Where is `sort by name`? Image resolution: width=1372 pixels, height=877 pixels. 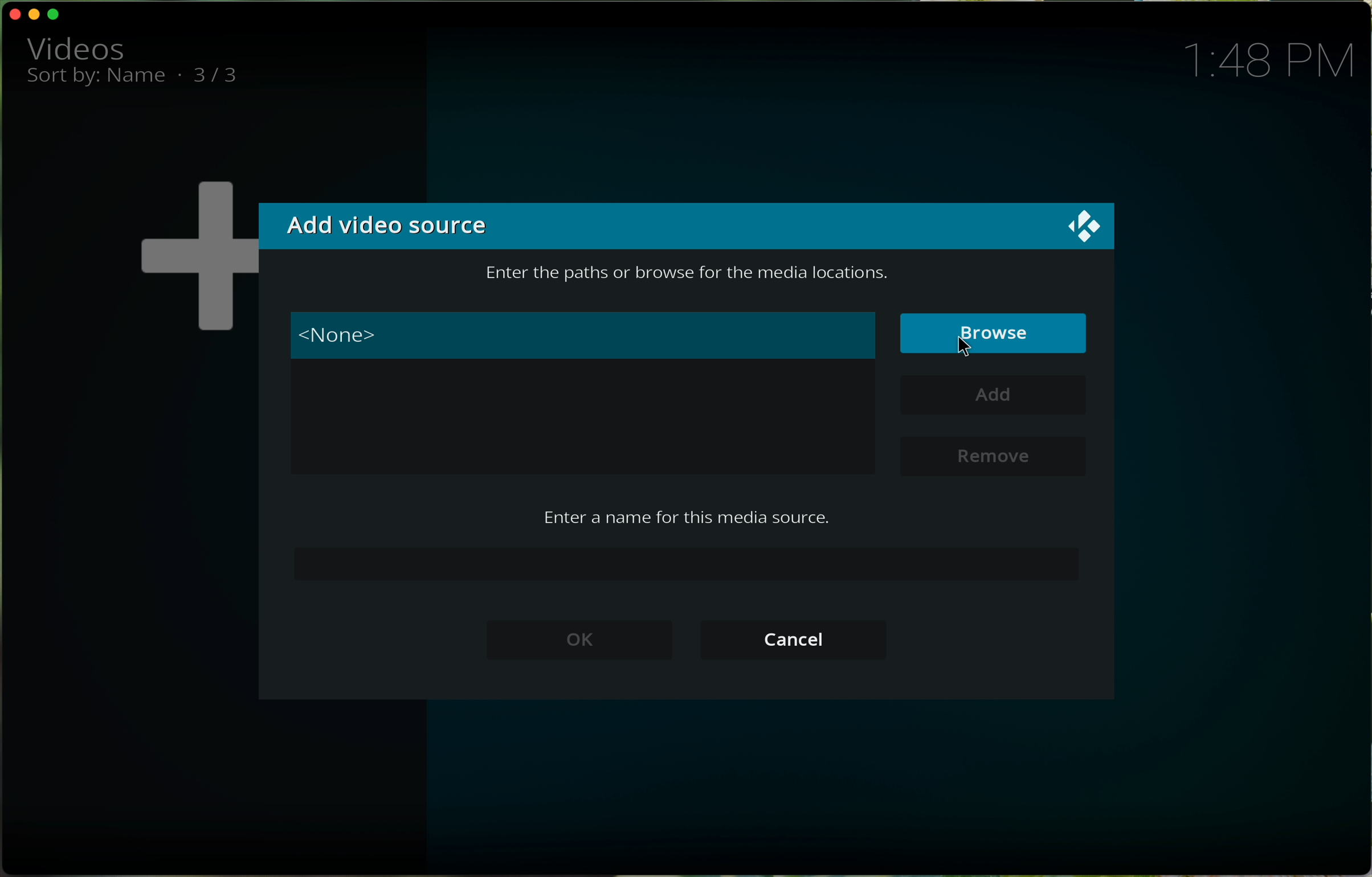
sort by name is located at coordinates (97, 80).